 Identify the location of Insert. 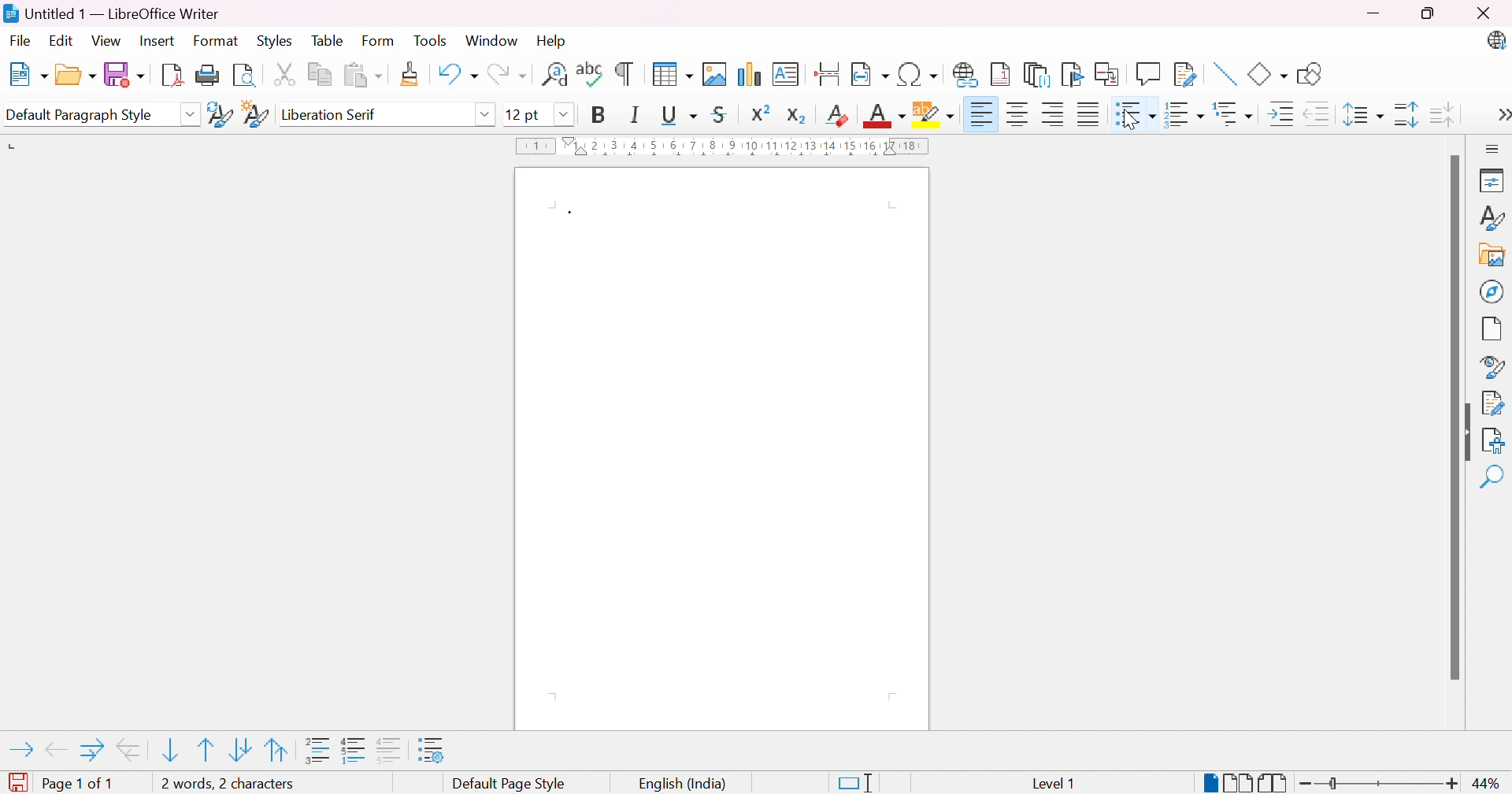
(156, 42).